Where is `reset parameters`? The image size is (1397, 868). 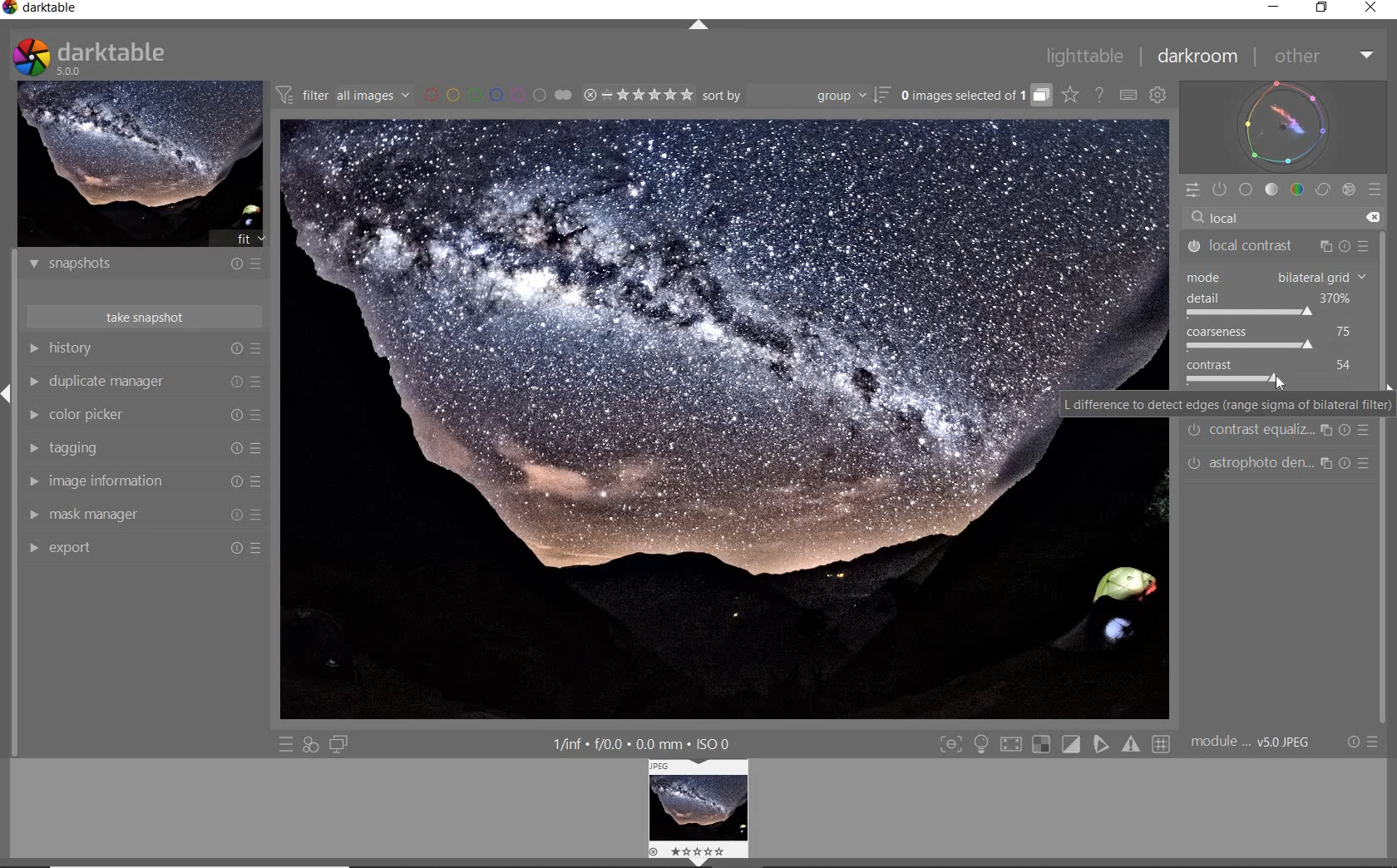 reset parameters is located at coordinates (1349, 462).